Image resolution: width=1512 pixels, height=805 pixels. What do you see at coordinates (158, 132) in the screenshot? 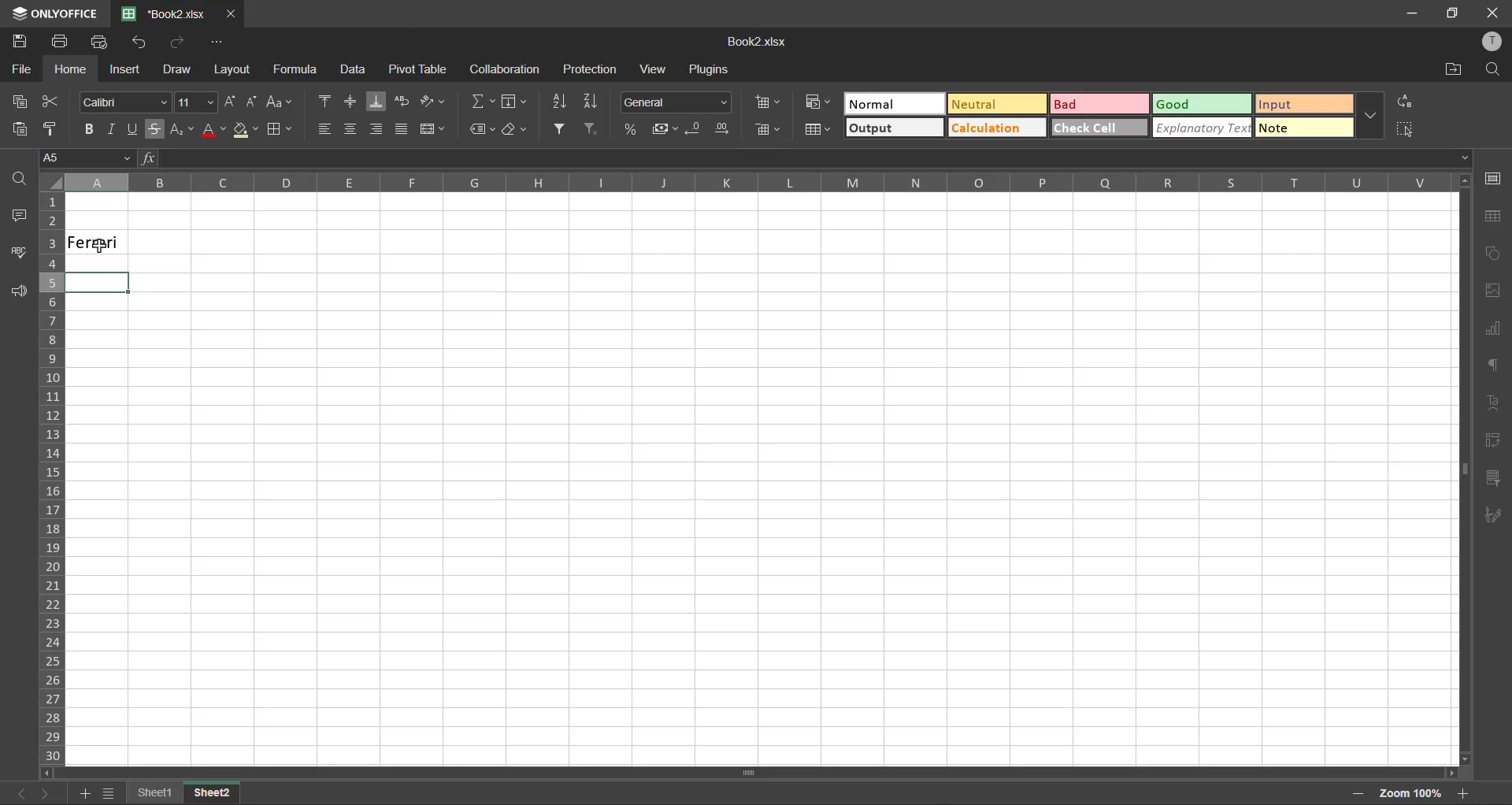
I see `strikethrough` at bounding box center [158, 132].